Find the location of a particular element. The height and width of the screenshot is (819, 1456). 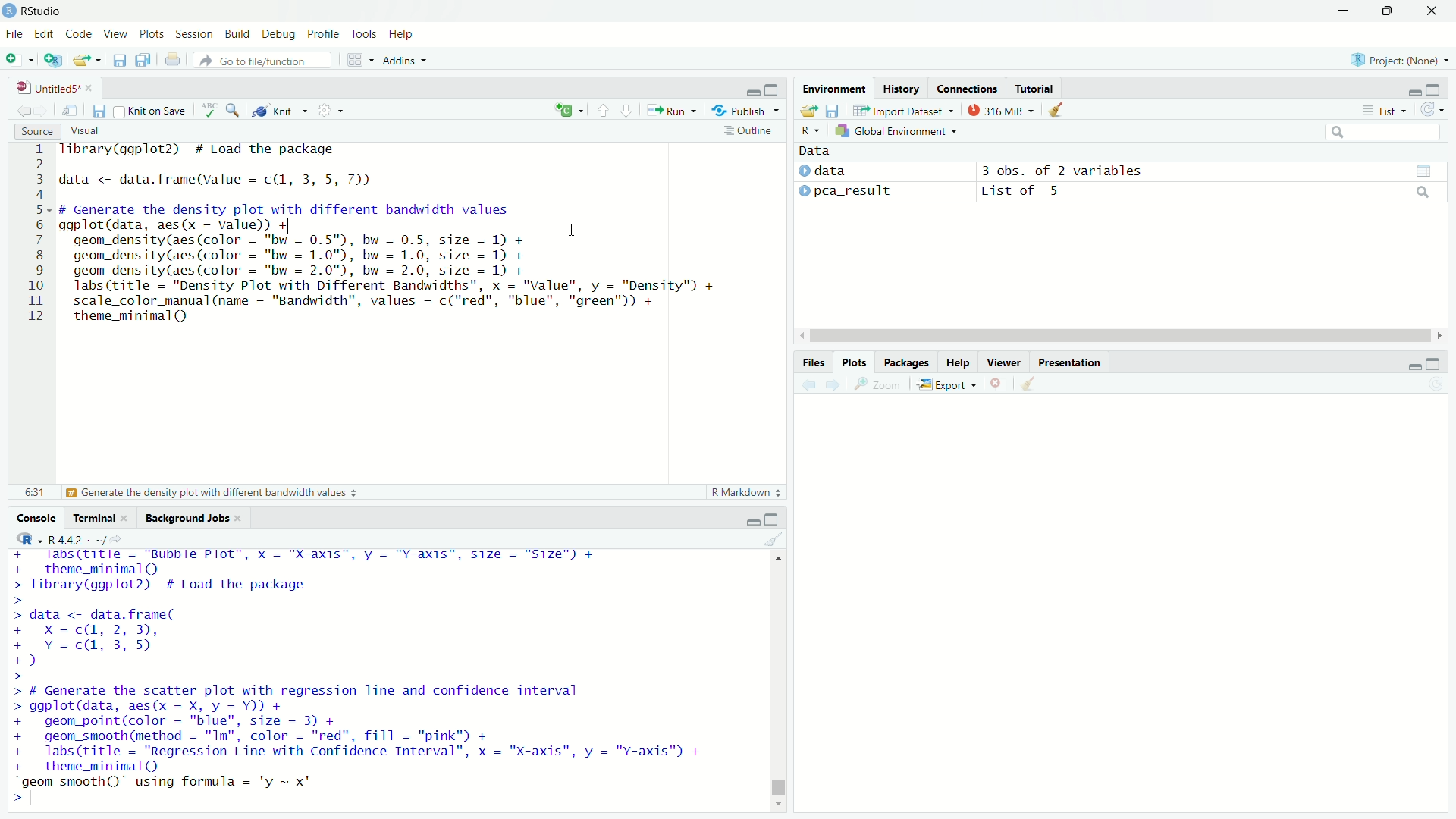

Save workspace as is located at coordinates (833, 110).